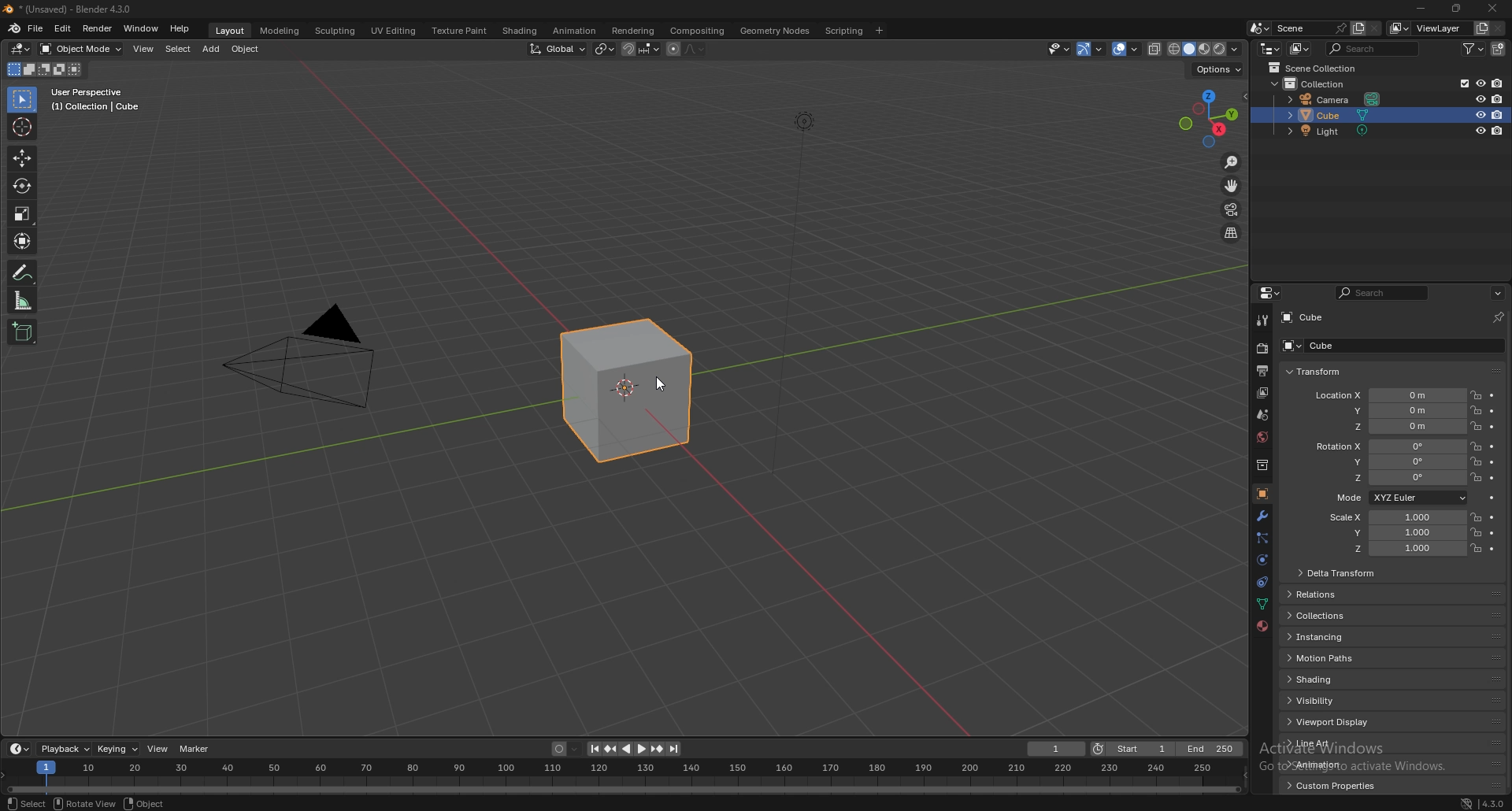 The width and height of the screenshot is (1512, 811). Describe the element at coordinates (1493, 532) in the screenshot. I see `animate property` at that location.